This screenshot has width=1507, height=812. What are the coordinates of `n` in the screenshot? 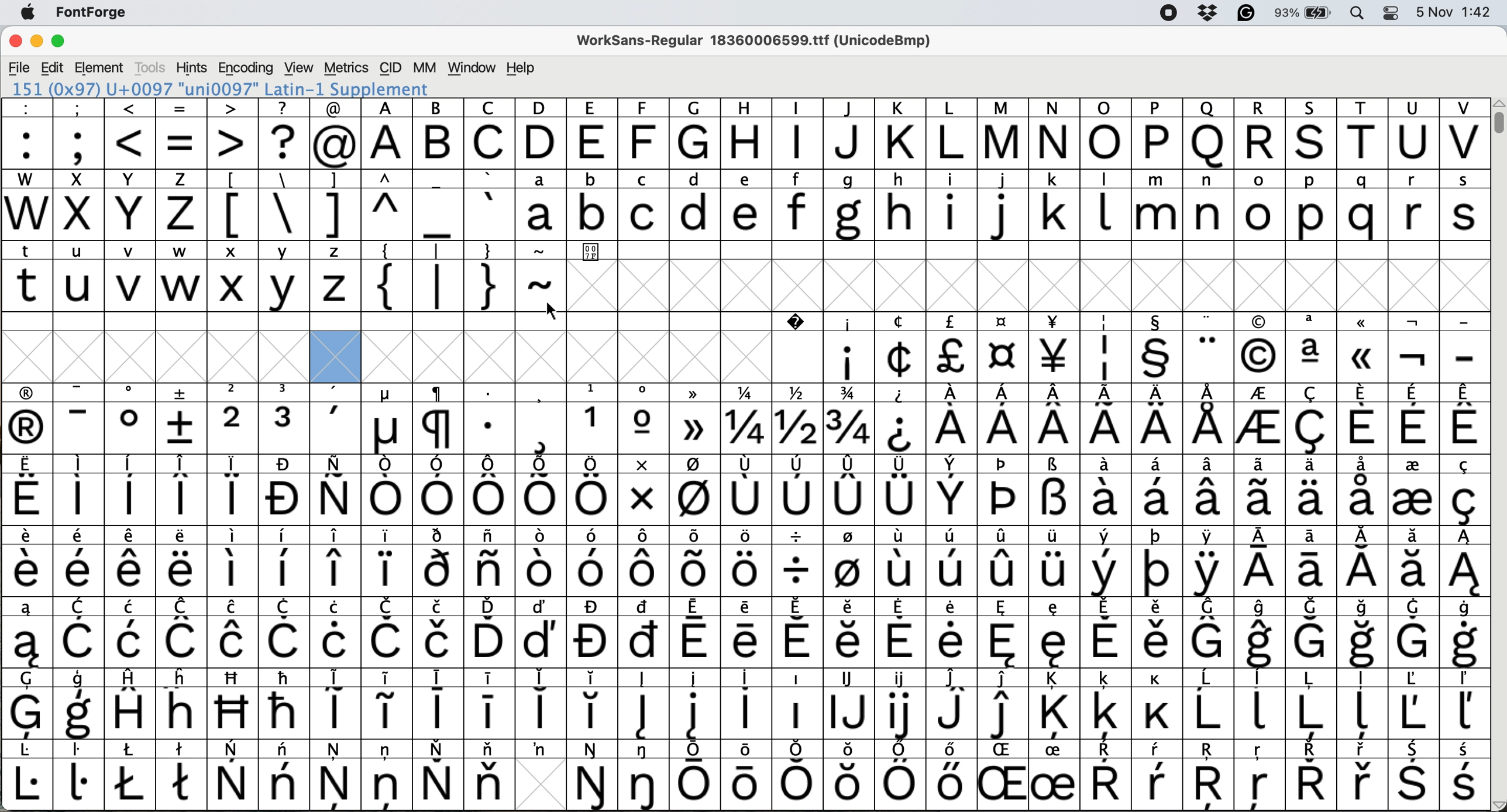 It's located at (1208, 204).